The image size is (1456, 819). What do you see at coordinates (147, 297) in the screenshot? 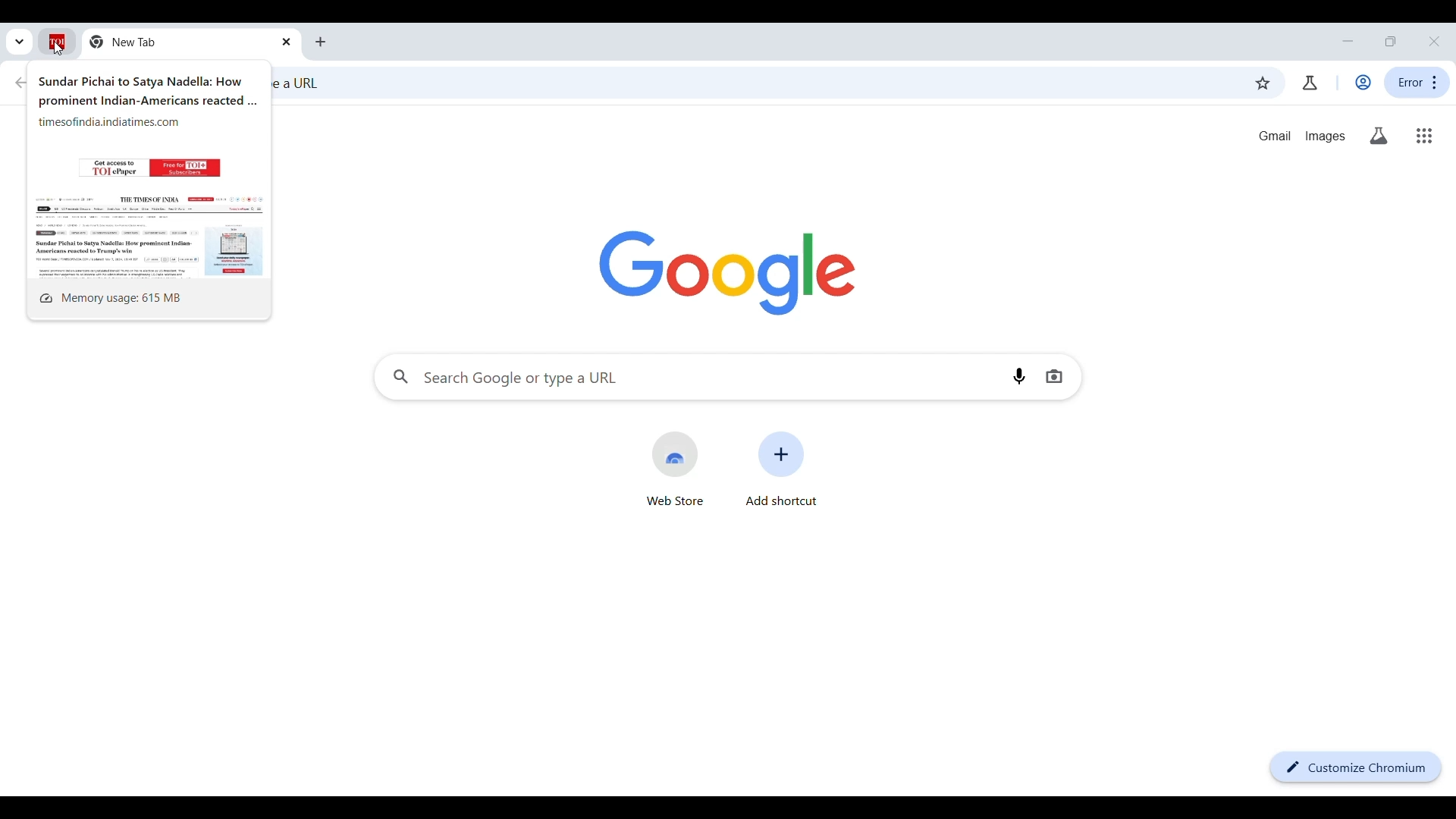
I see `Memory usage 615 MB` at bounding box center [147, 297].